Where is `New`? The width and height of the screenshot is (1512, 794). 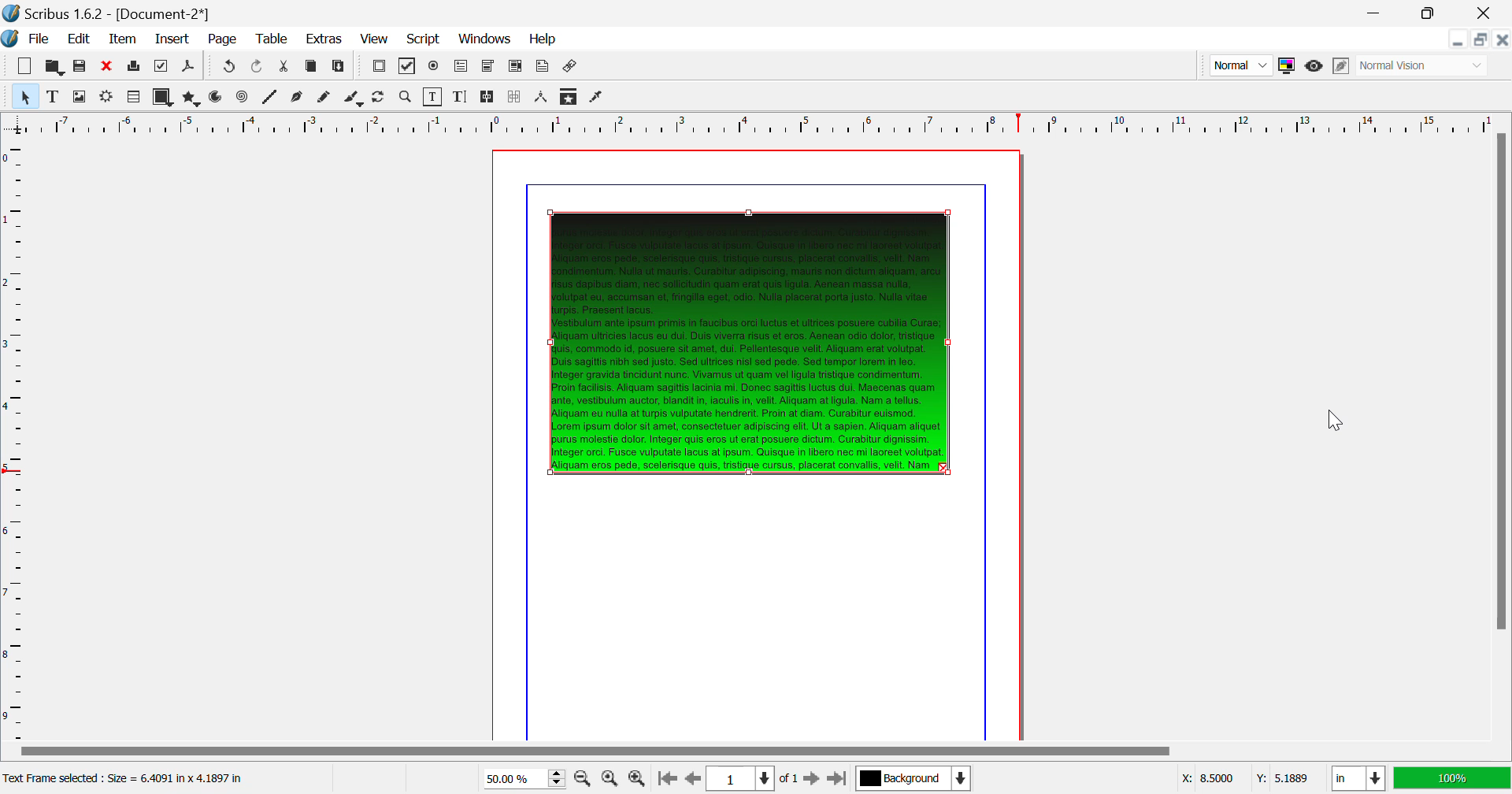
New is located at coordinates (25, 66).